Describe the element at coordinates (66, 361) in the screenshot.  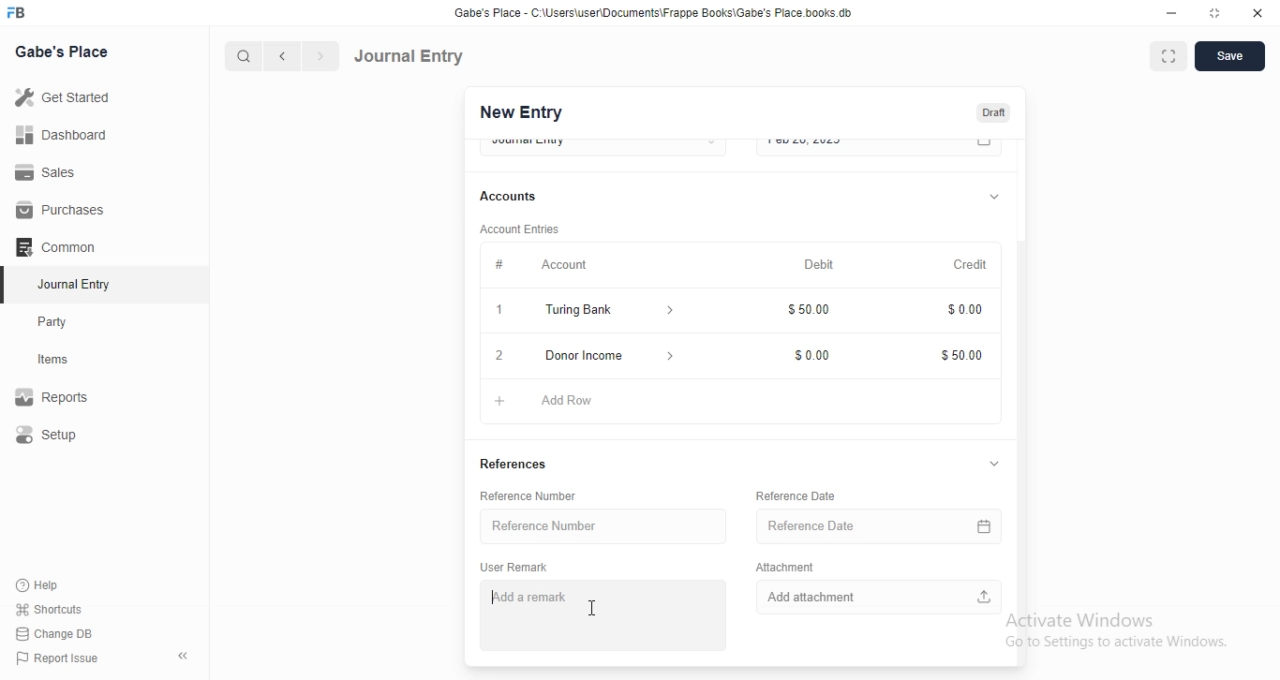
I see `items` at that location.